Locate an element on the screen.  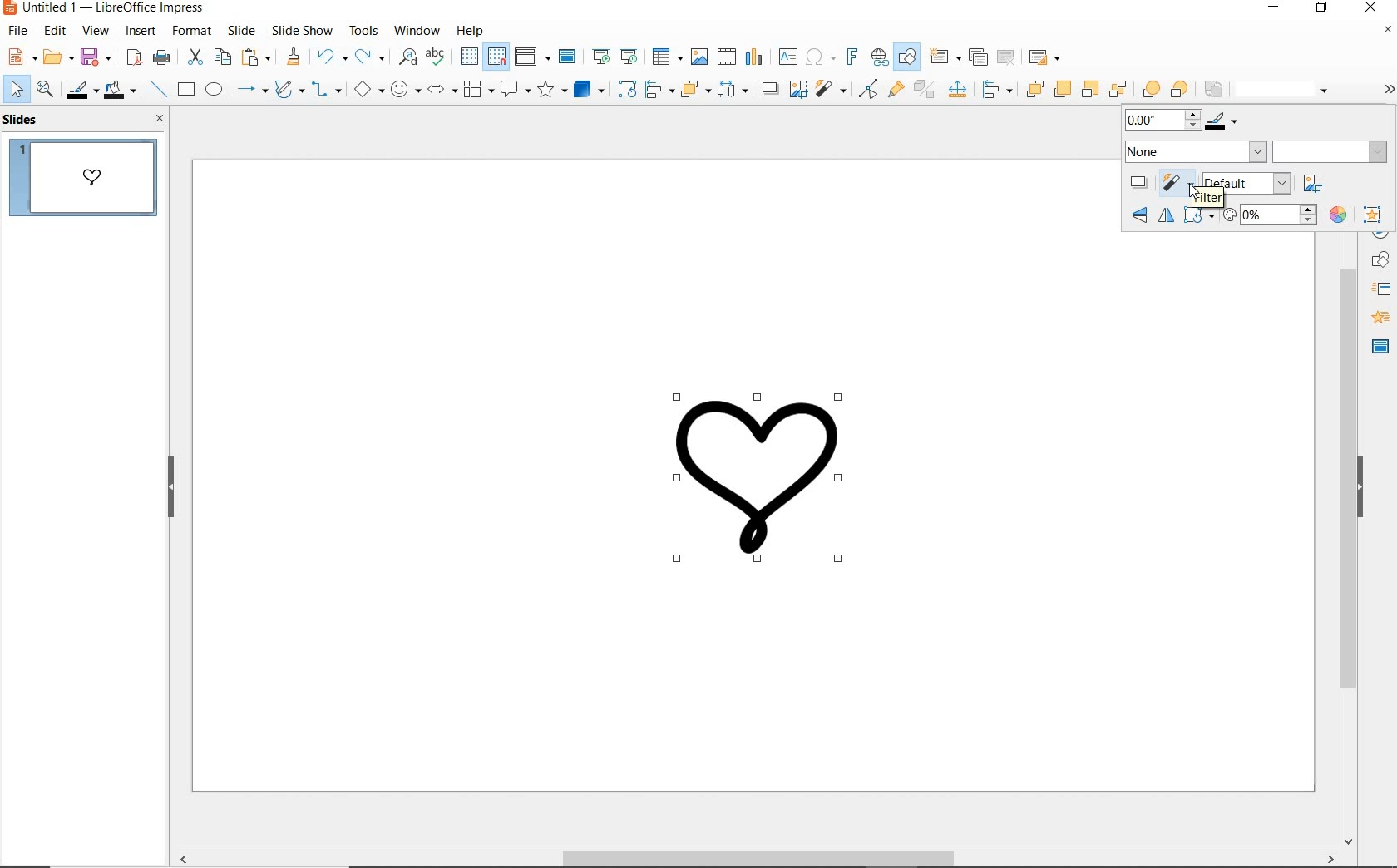
image mode is located at coordinates (1246, 184).